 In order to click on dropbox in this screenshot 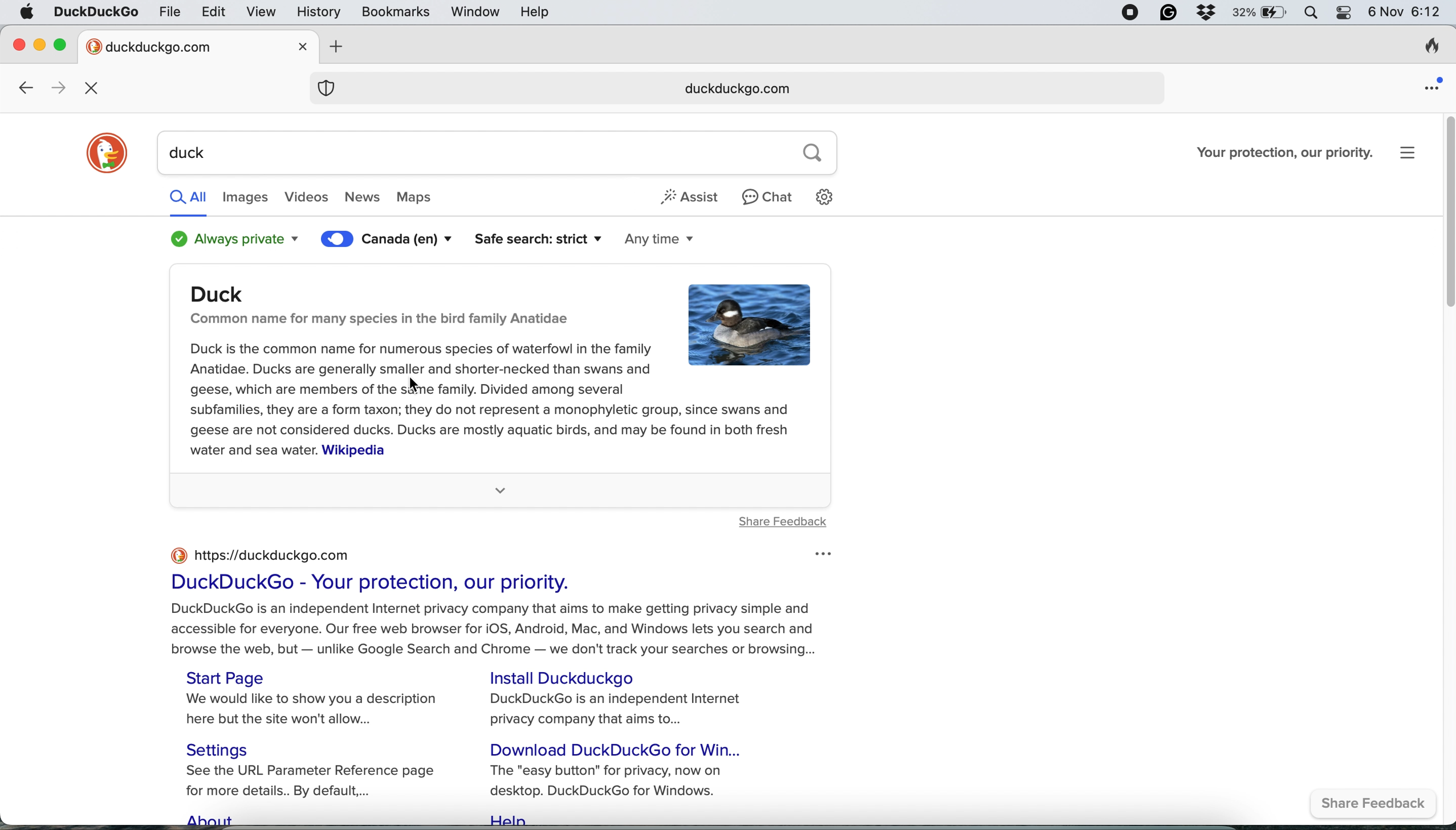, I will do `click(1206, 13)`.